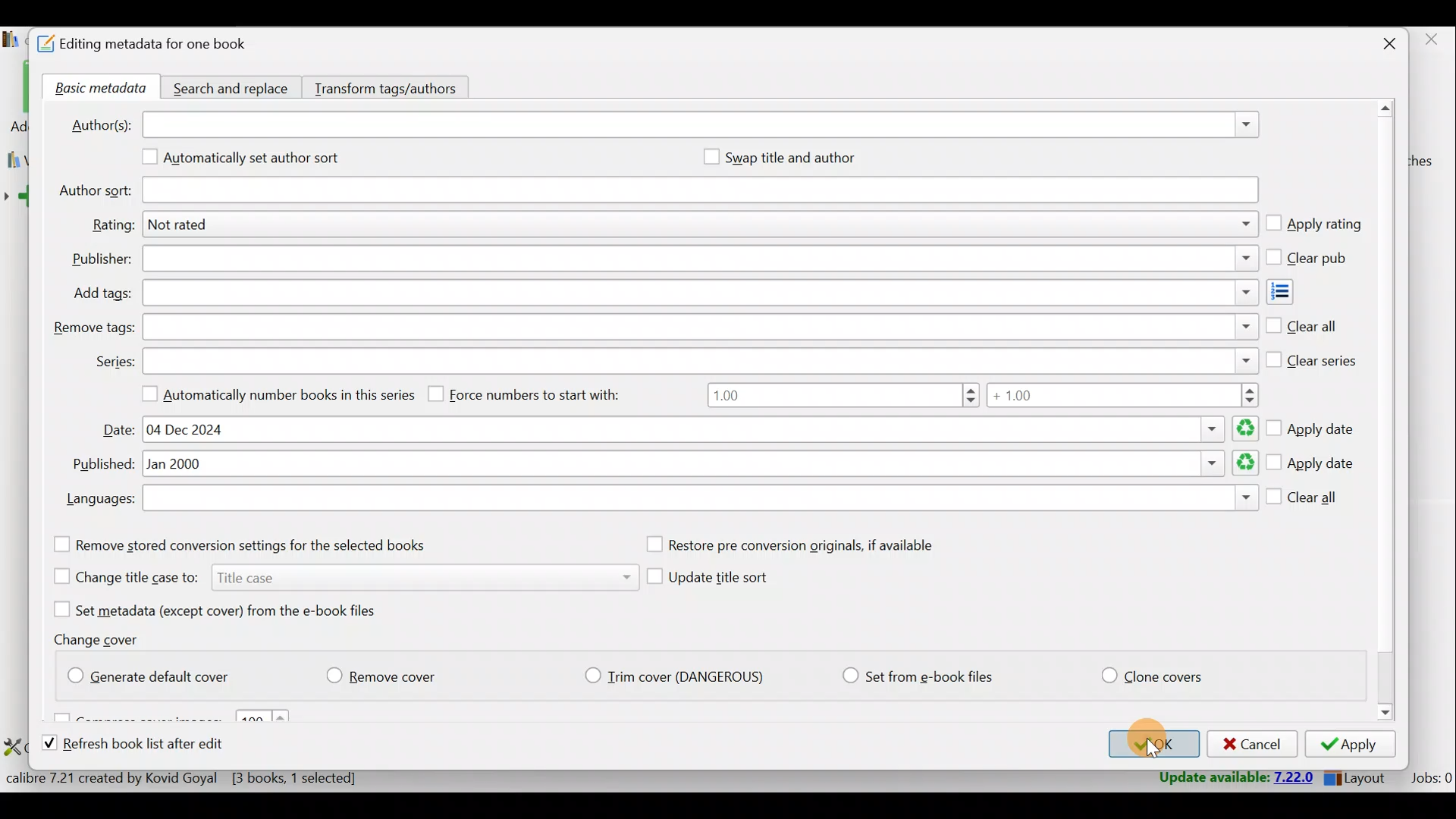 This screenshot has height=819, width=1456. I want to click on Apply rating, so click(1313, 225).